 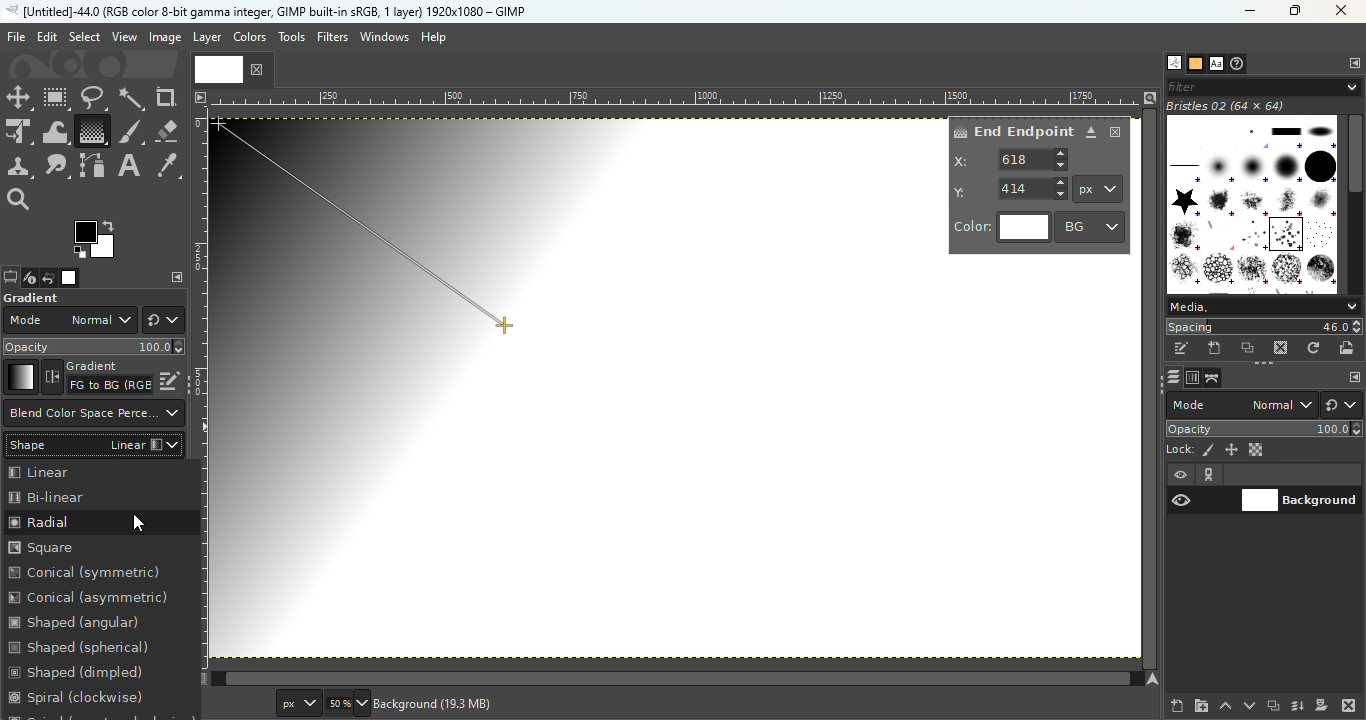 What do you see at coordinates (1002, 228) in the screenshot?
I see `Color` at bounding box center [1002, 228].